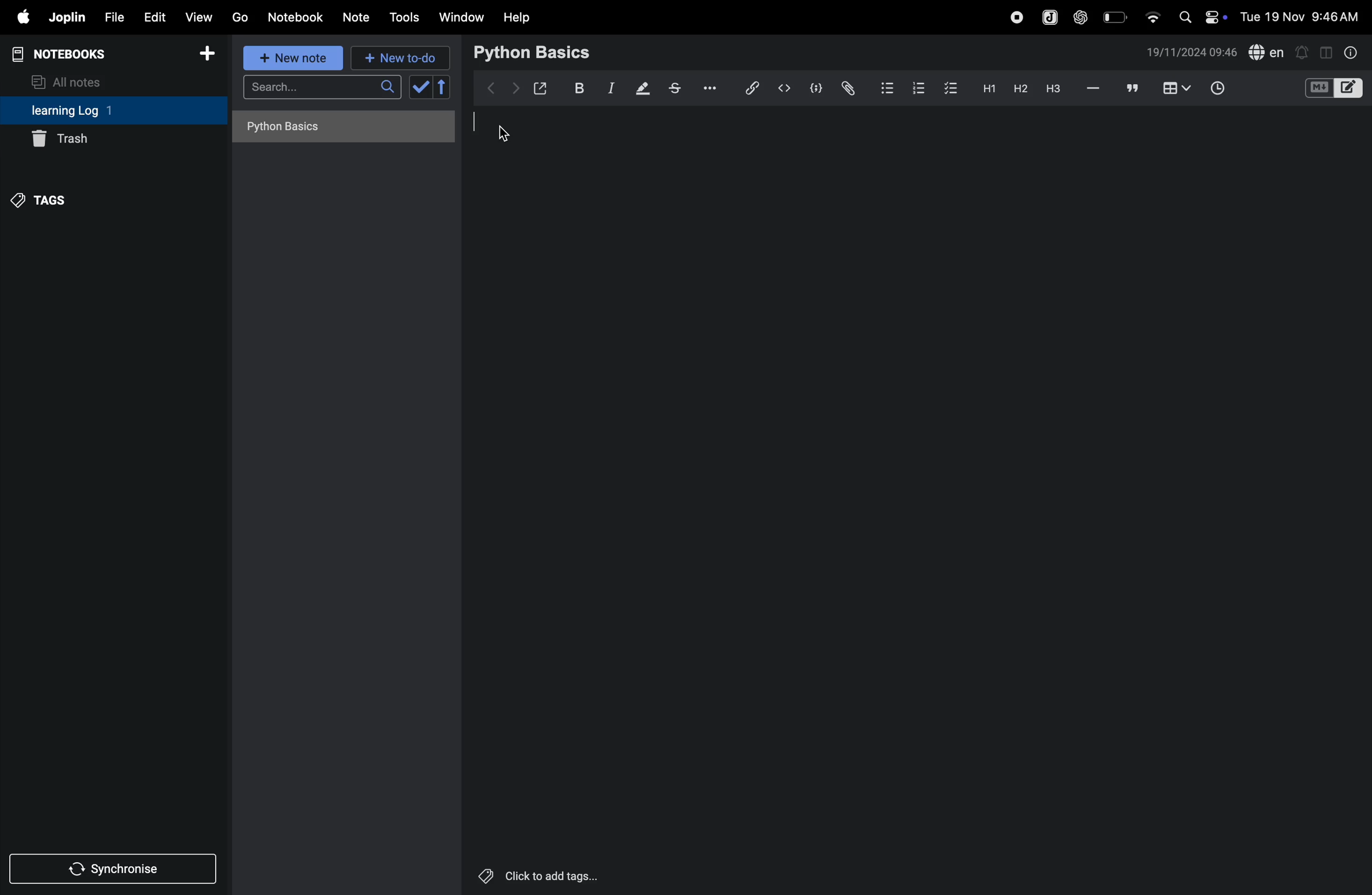 The image size is (1372, 895). I want to click on displaying, so click(643, 89).